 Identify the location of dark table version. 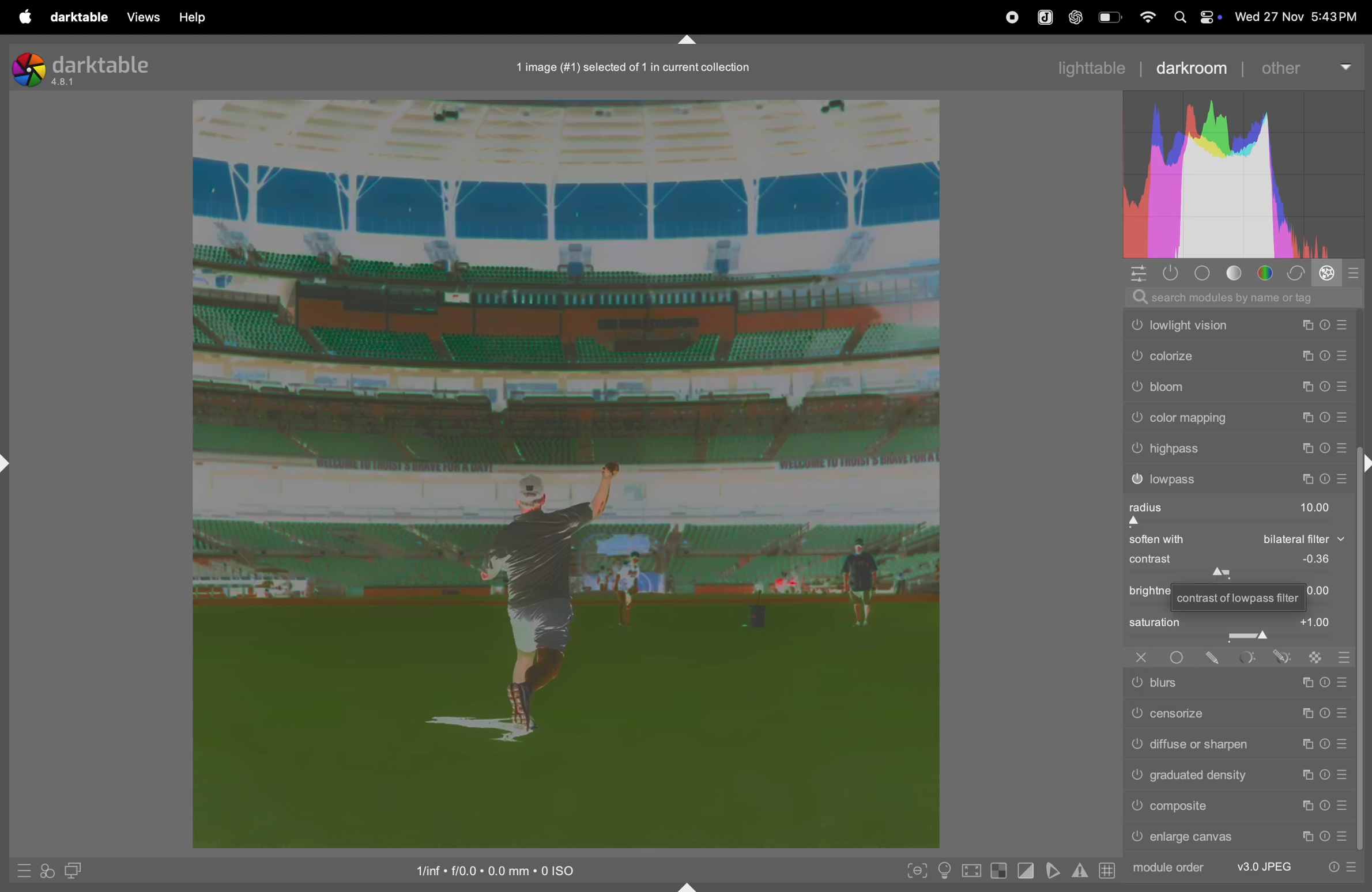
(82, 68).